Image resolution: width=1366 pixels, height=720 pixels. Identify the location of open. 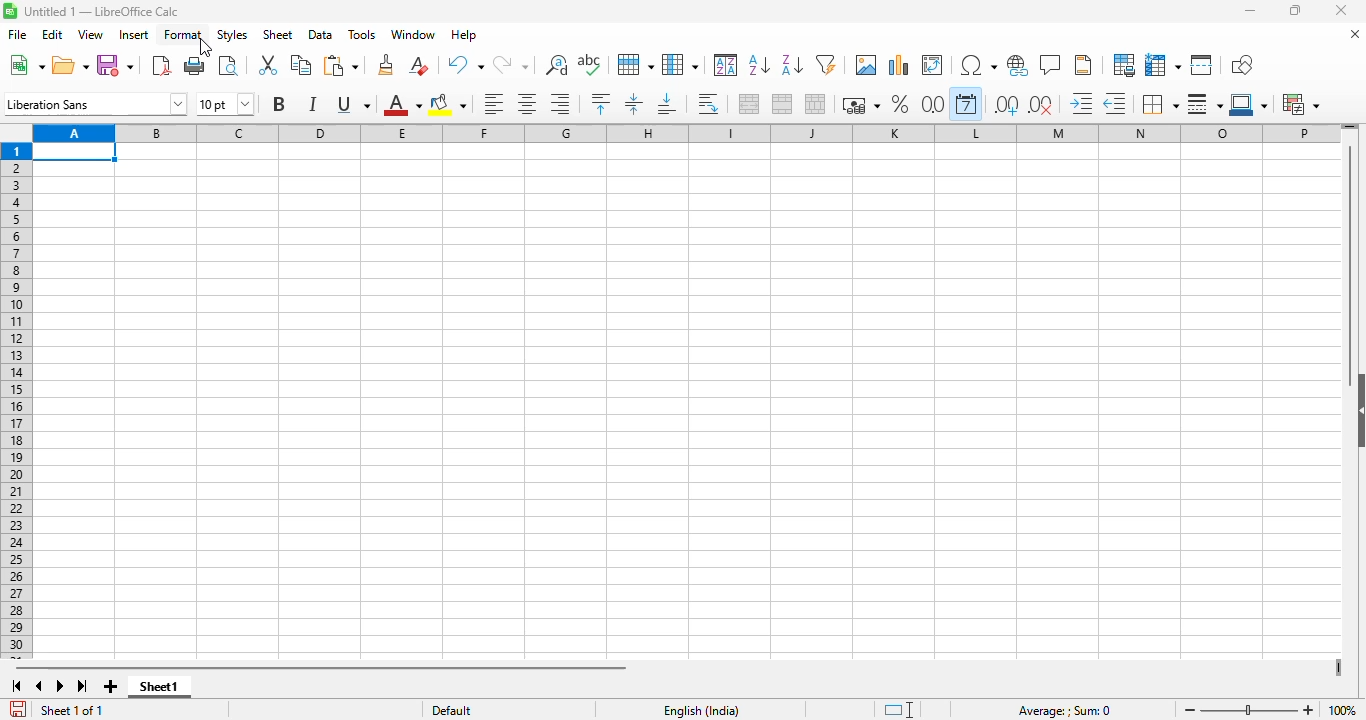
(70, 66).